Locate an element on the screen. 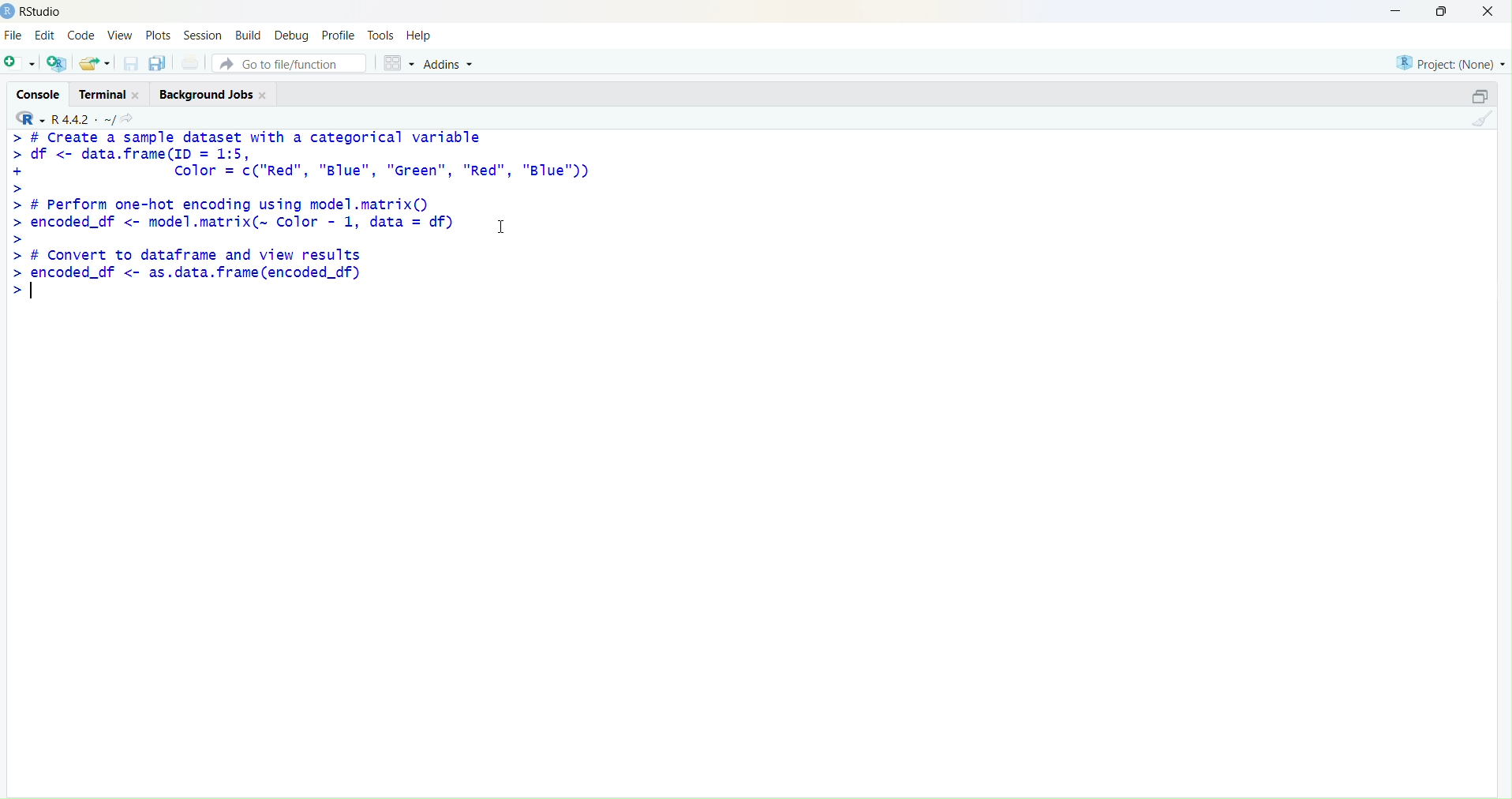 Image resolution: width=1512 pixels, height=799 pixels. add file as is located at coordinates (22, 63).